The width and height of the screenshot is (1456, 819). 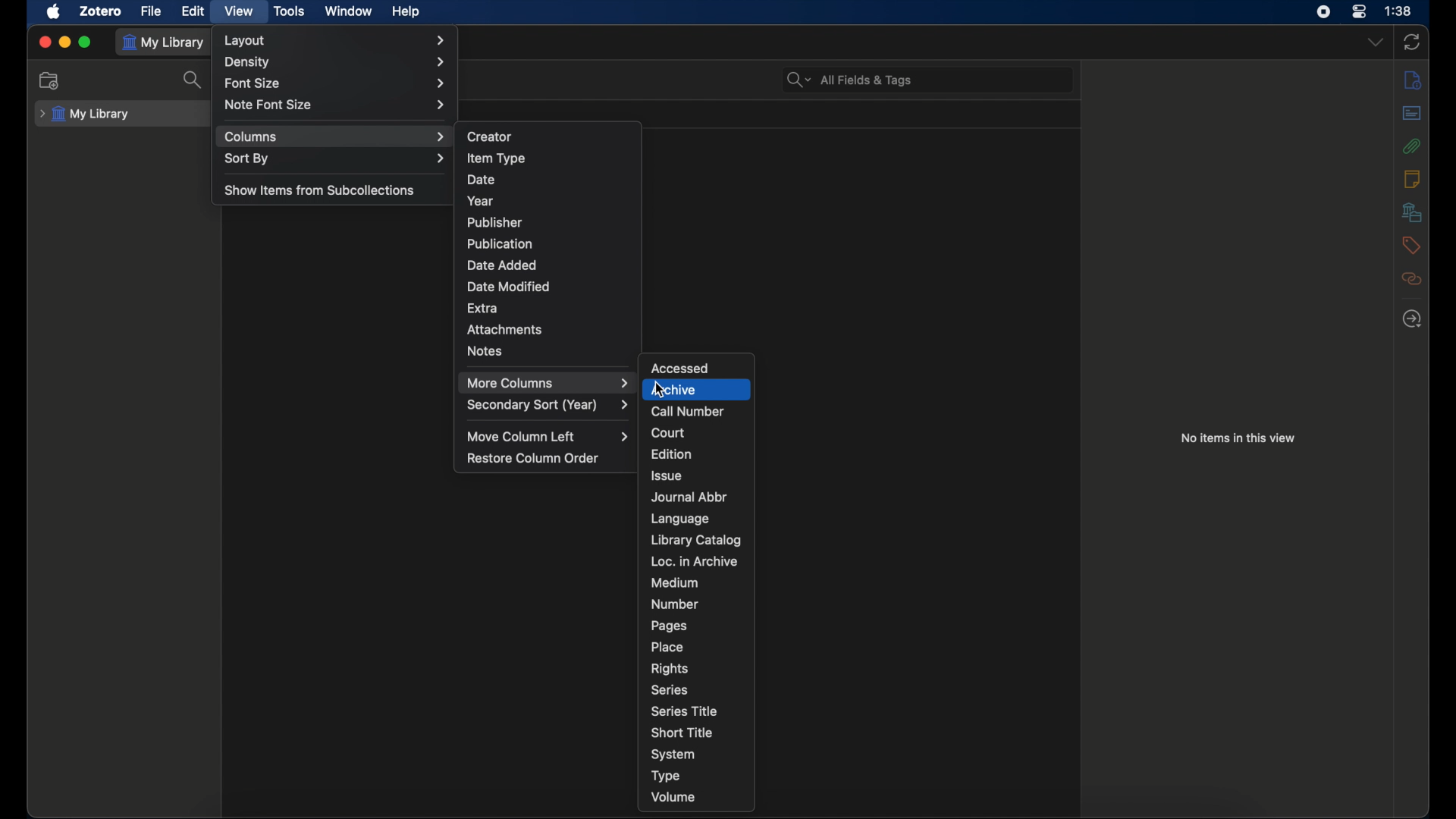 I want to click on help, so click(x=405, y=11).